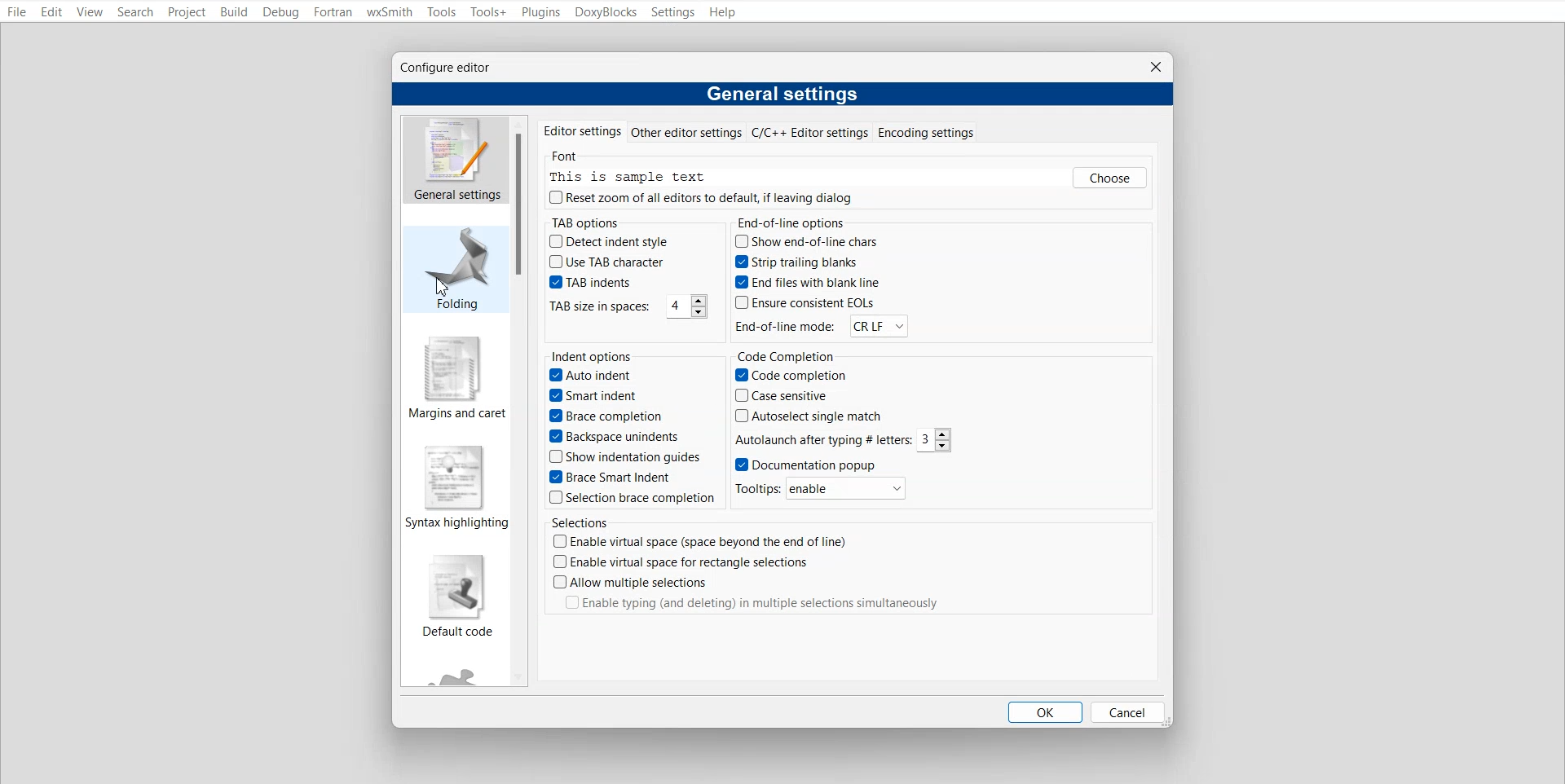 The image size is (1565, 784). Describe the element at coordinates (445, 288) in the screenshot. I see `Cursor` at that location.